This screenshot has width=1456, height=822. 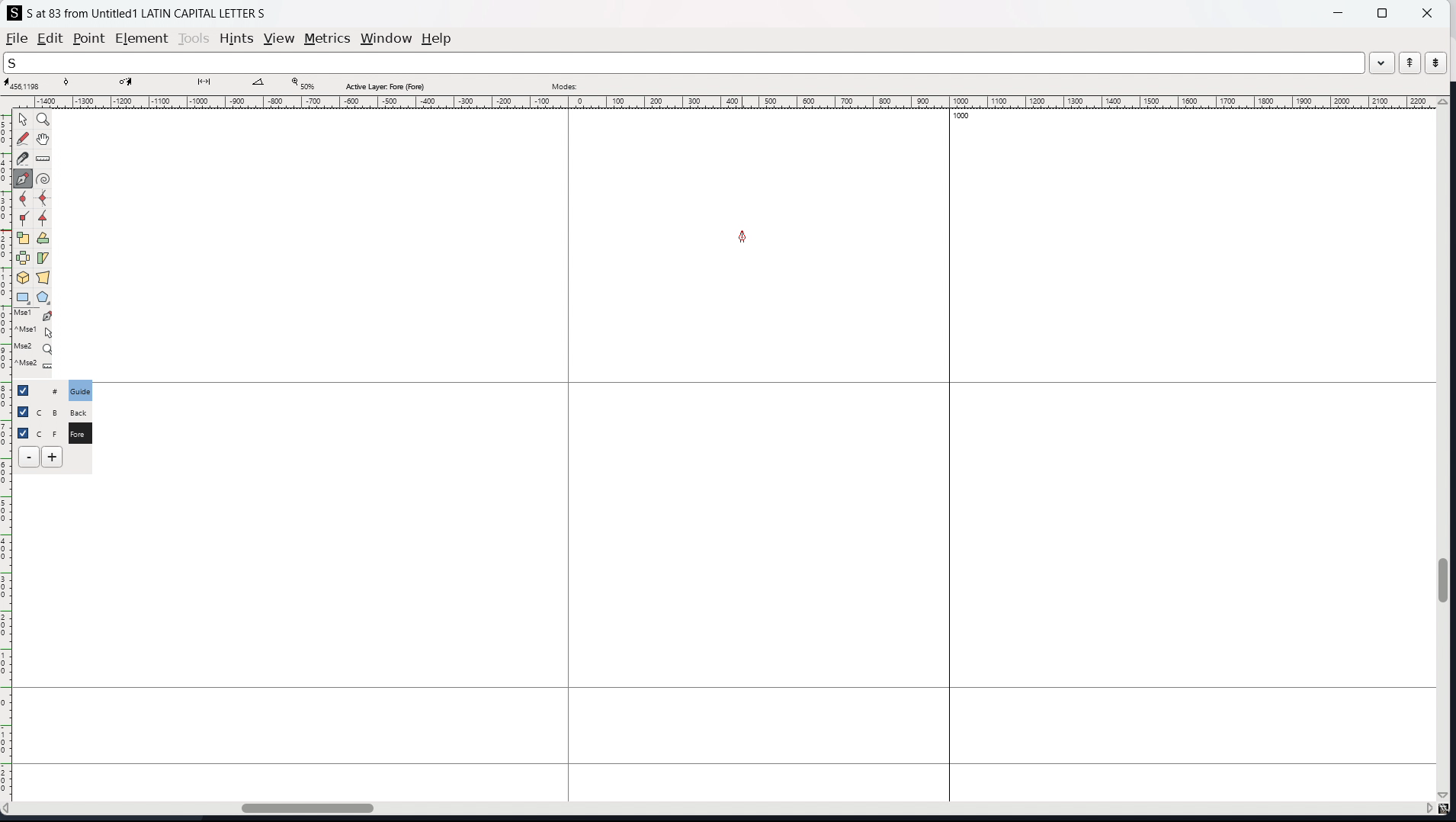 I want to click on view, so click(x=279, y=39).